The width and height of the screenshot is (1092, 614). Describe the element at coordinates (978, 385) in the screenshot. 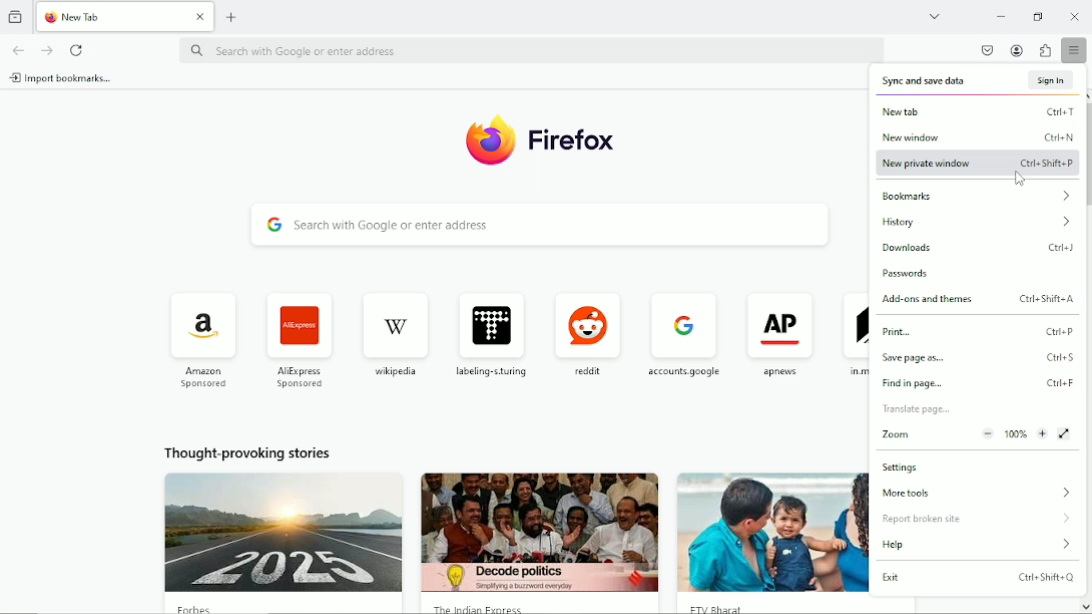

I see `find in page` at that location.